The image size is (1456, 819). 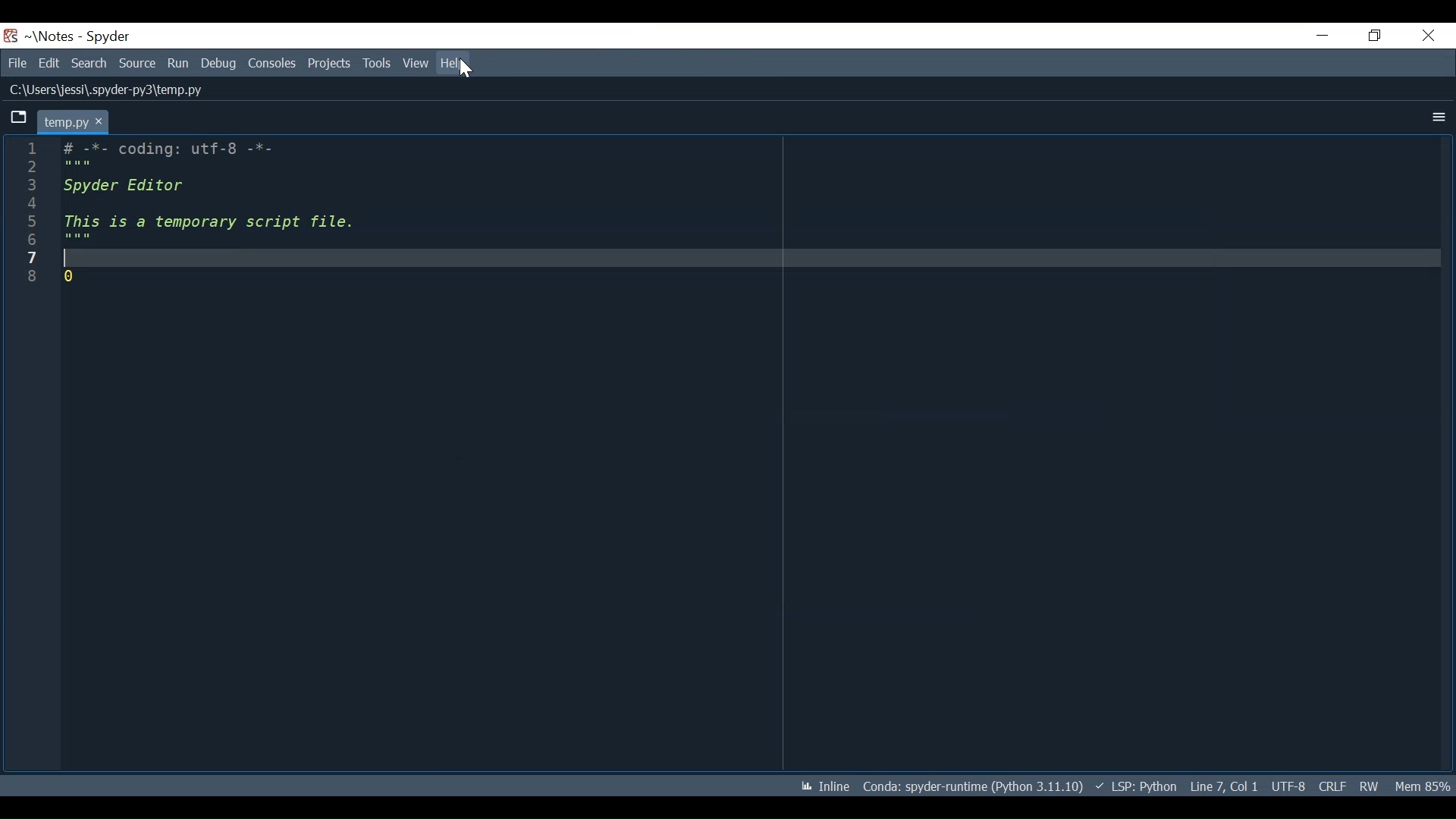 What do you see at coordinates (1333, 786) in the screenshot?
I see `CRLF` at bounding box center [1333, 786].